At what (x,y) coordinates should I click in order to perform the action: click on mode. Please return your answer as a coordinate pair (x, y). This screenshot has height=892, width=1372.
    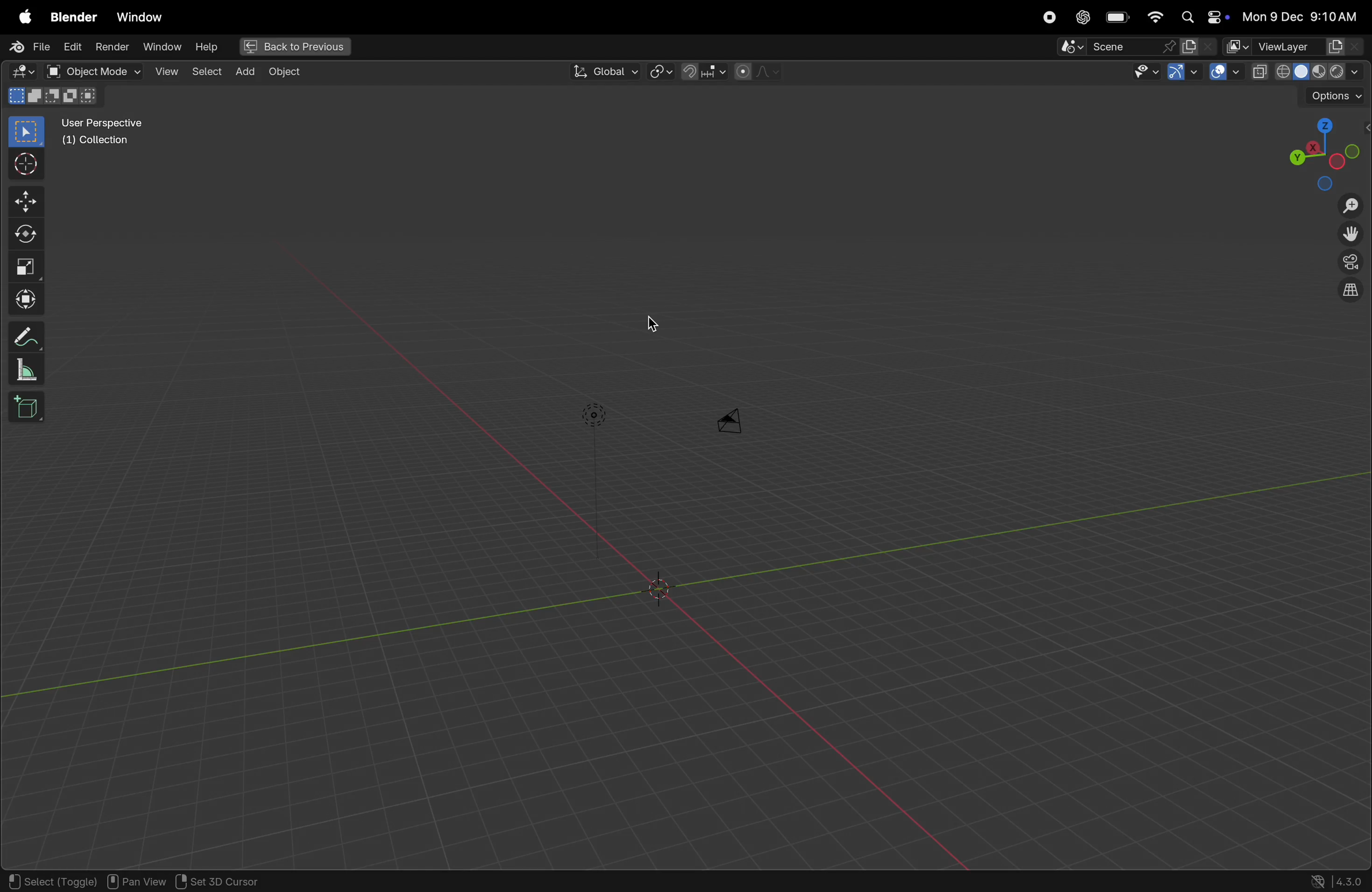
    Looking at the image, I should click on (55, 98).